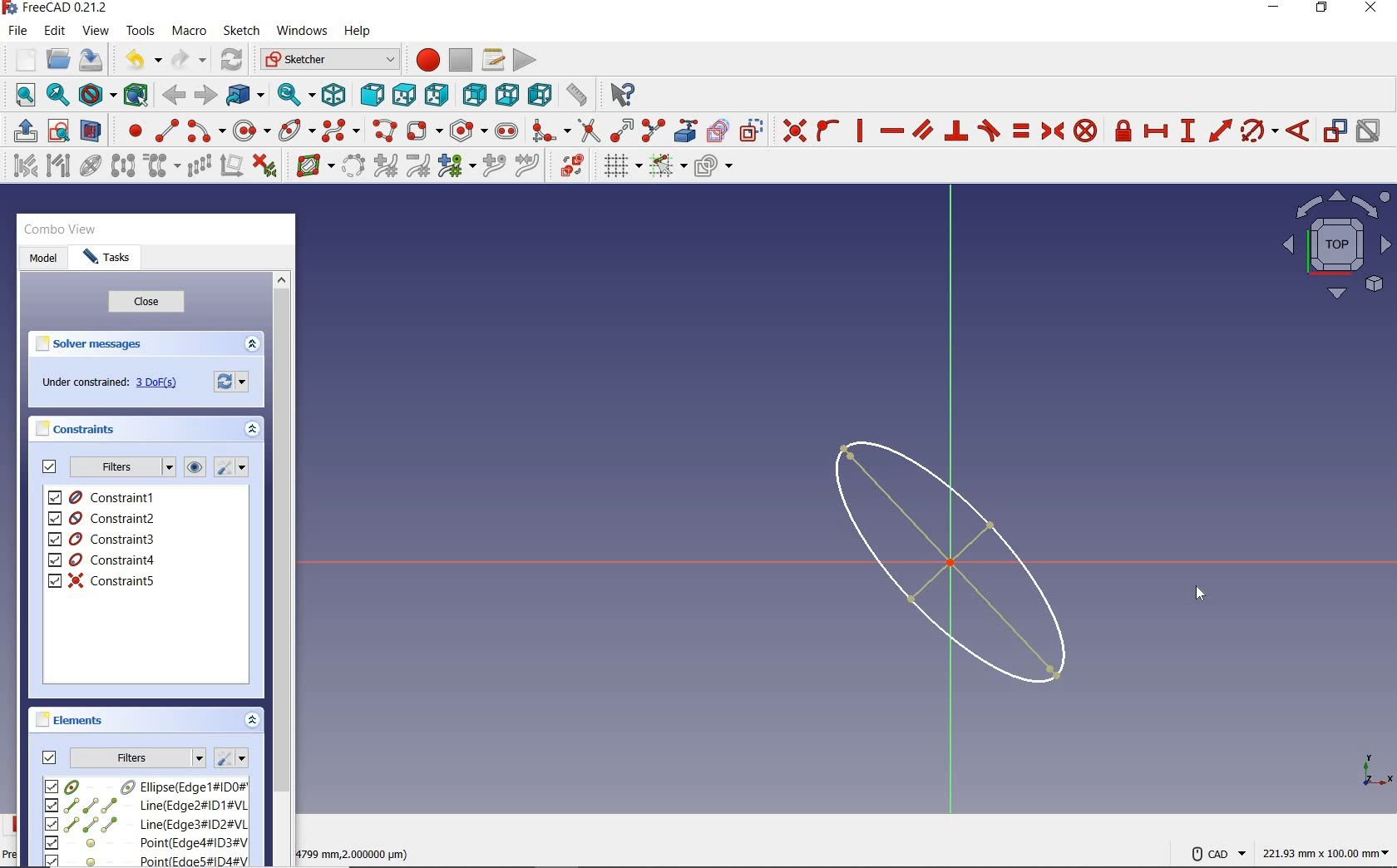 The image size is (1397, 868). I want to click on xyz, so click(1374, 768).